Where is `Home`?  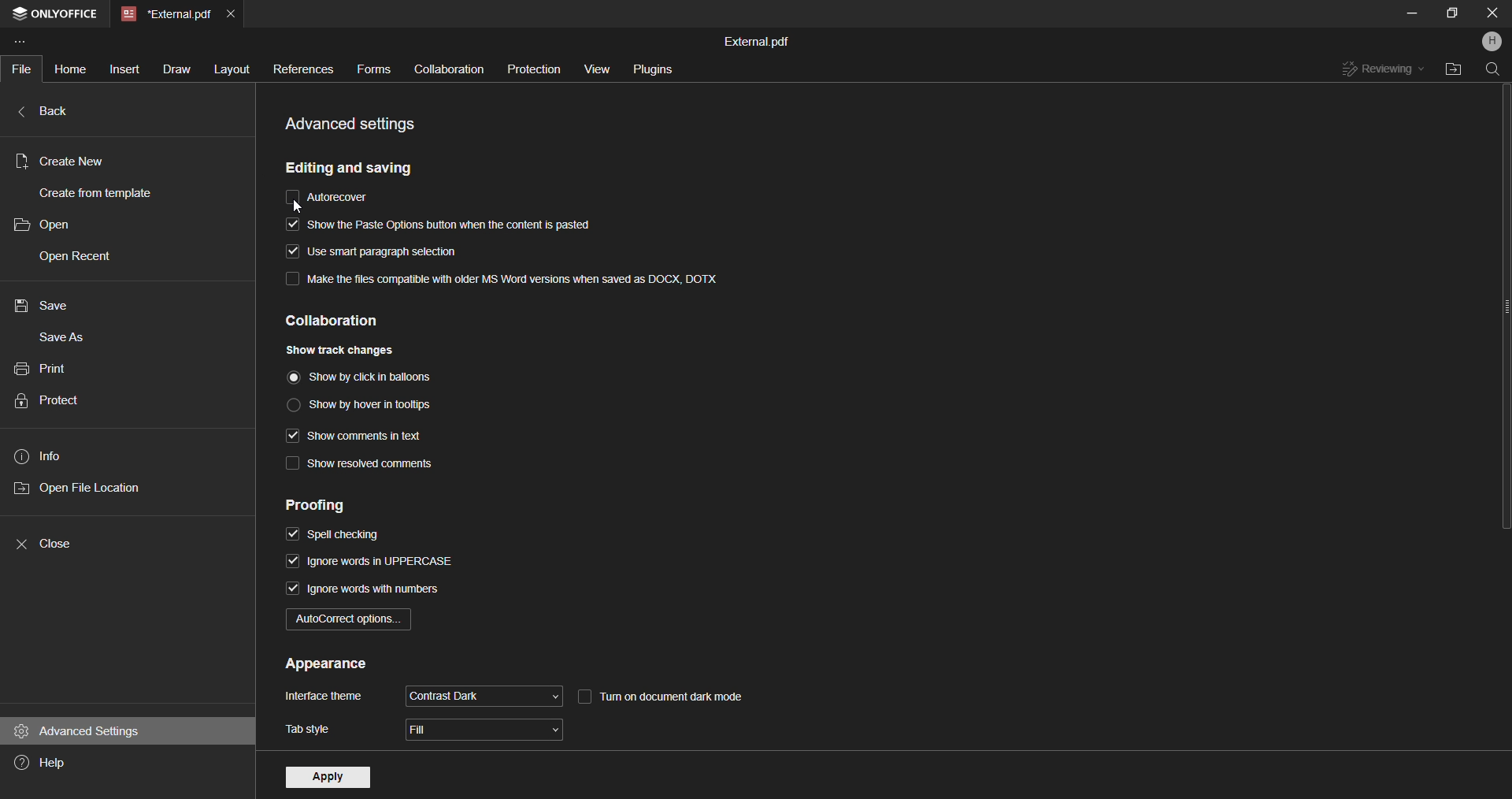
Home is located at coordinates (69, 68).